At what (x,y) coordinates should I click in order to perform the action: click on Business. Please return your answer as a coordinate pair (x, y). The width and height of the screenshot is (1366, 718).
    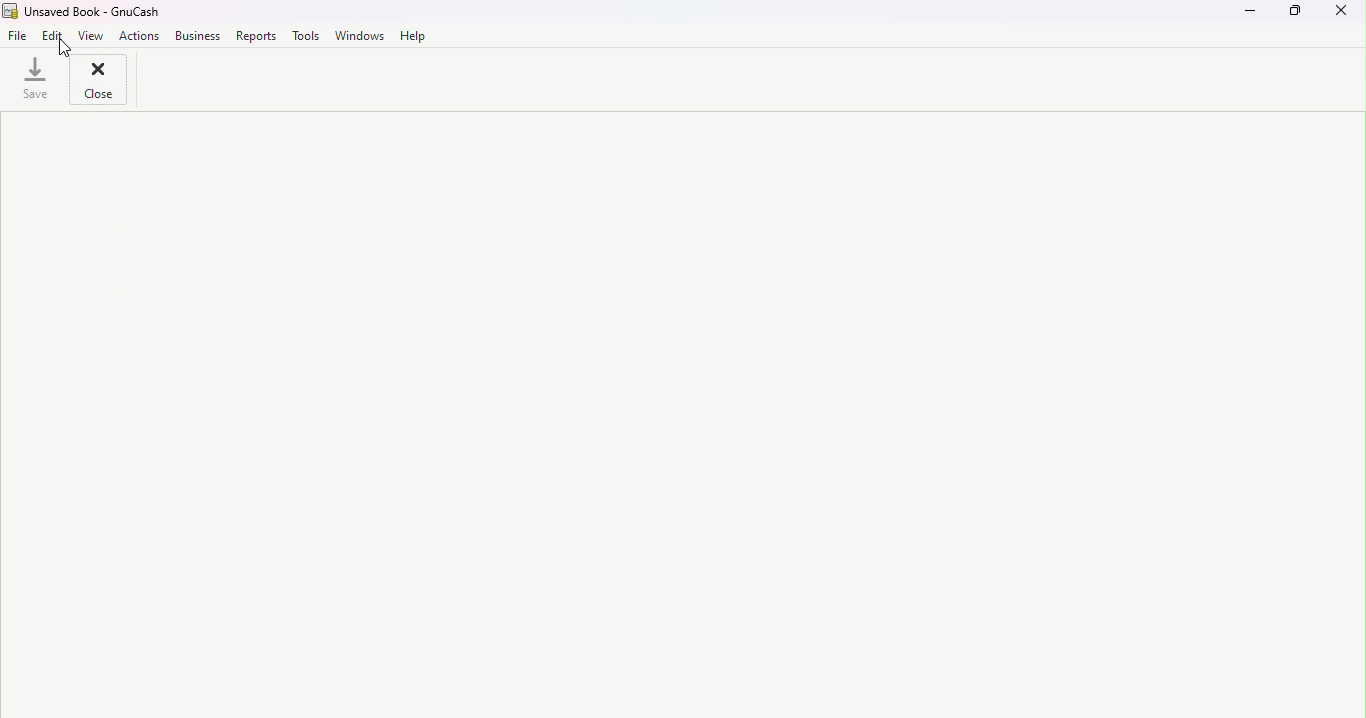
    Looking at the image, I should click on (196, 38).